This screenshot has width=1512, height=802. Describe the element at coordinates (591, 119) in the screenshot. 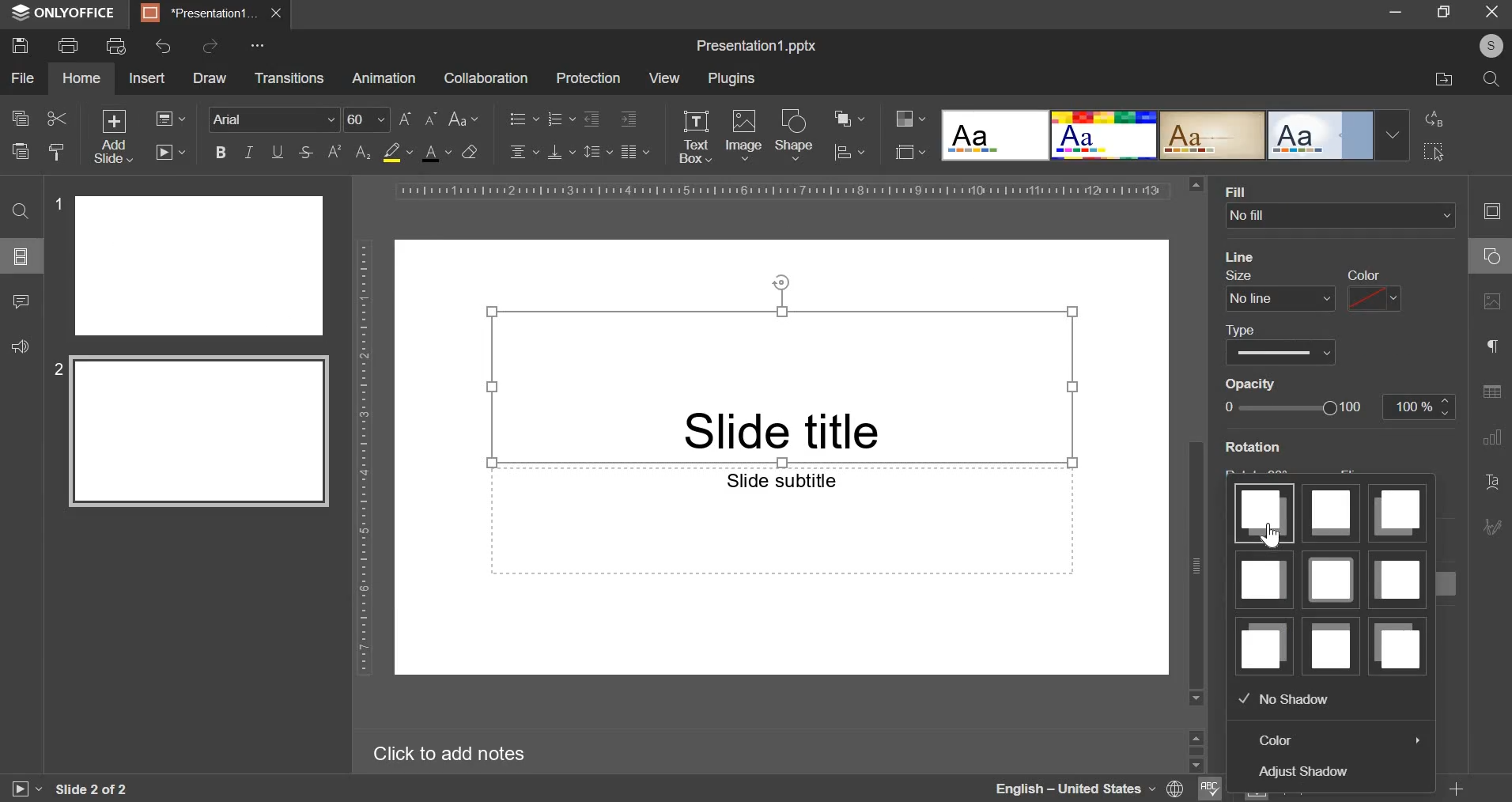

I see `decrease indent` at that location.